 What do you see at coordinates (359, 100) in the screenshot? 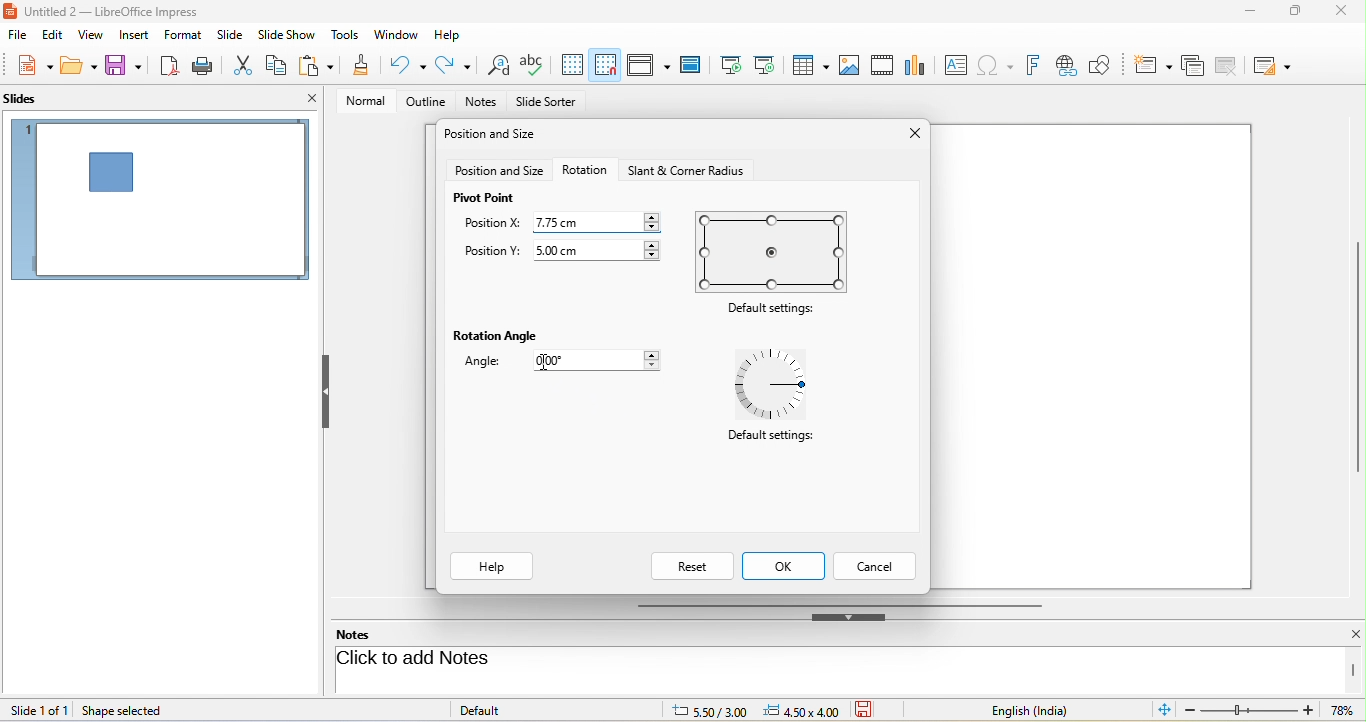
I see `normal` at bounding box center [359, 100].